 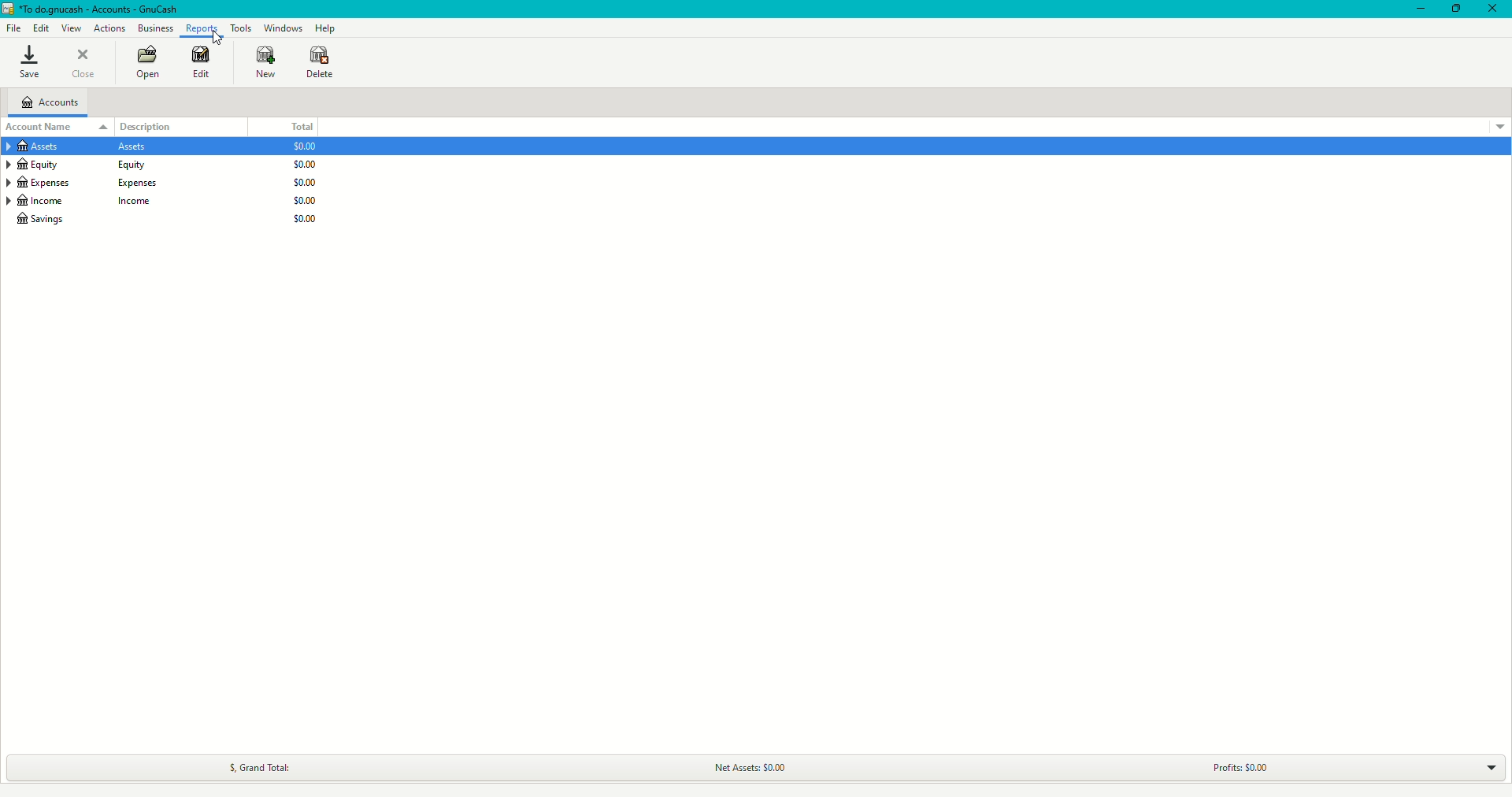 I want to click on New, so click(x=268, y=64).